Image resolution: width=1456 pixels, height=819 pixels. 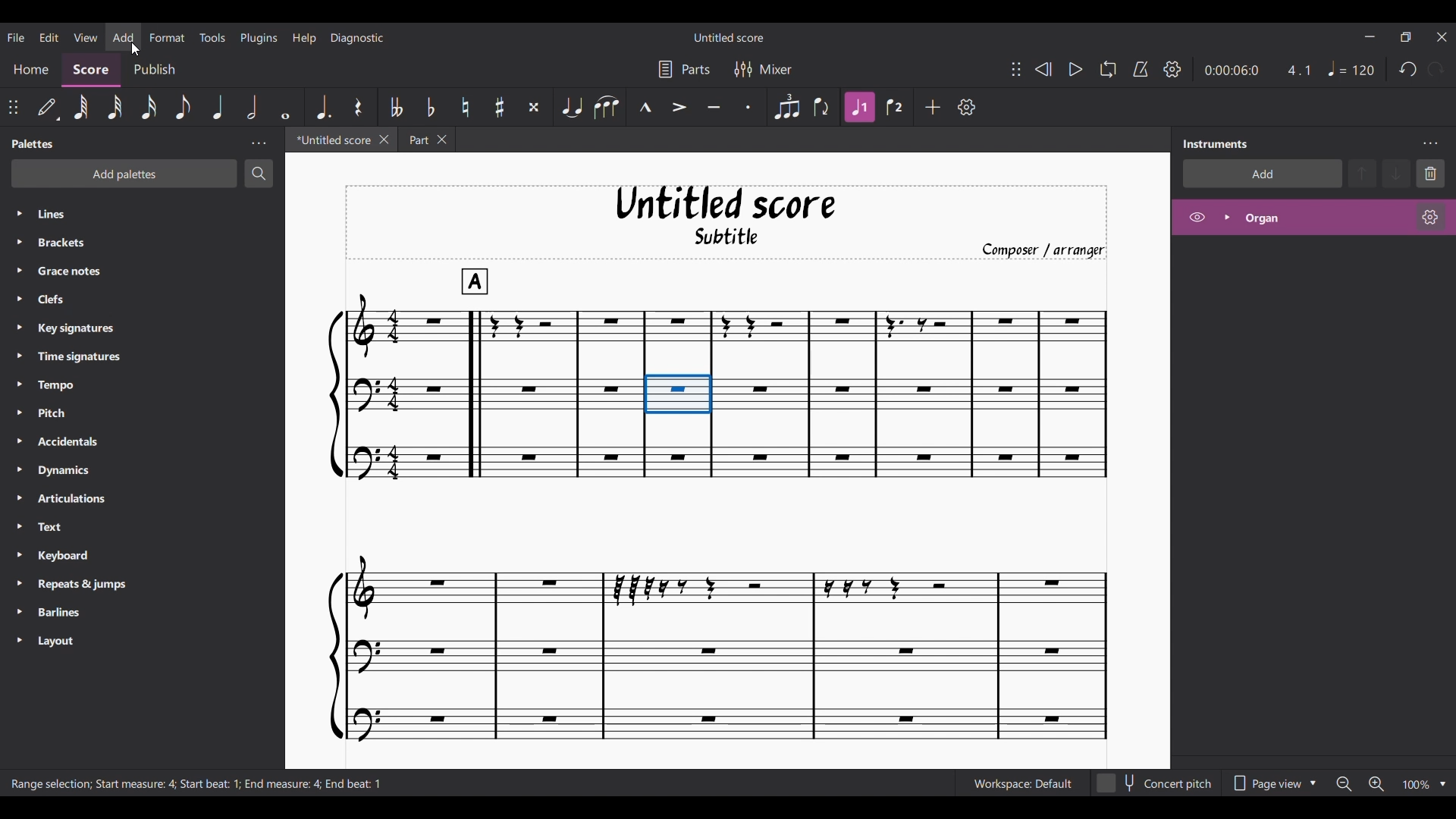 I want to click on Marcato, so click(x=645, y=108).